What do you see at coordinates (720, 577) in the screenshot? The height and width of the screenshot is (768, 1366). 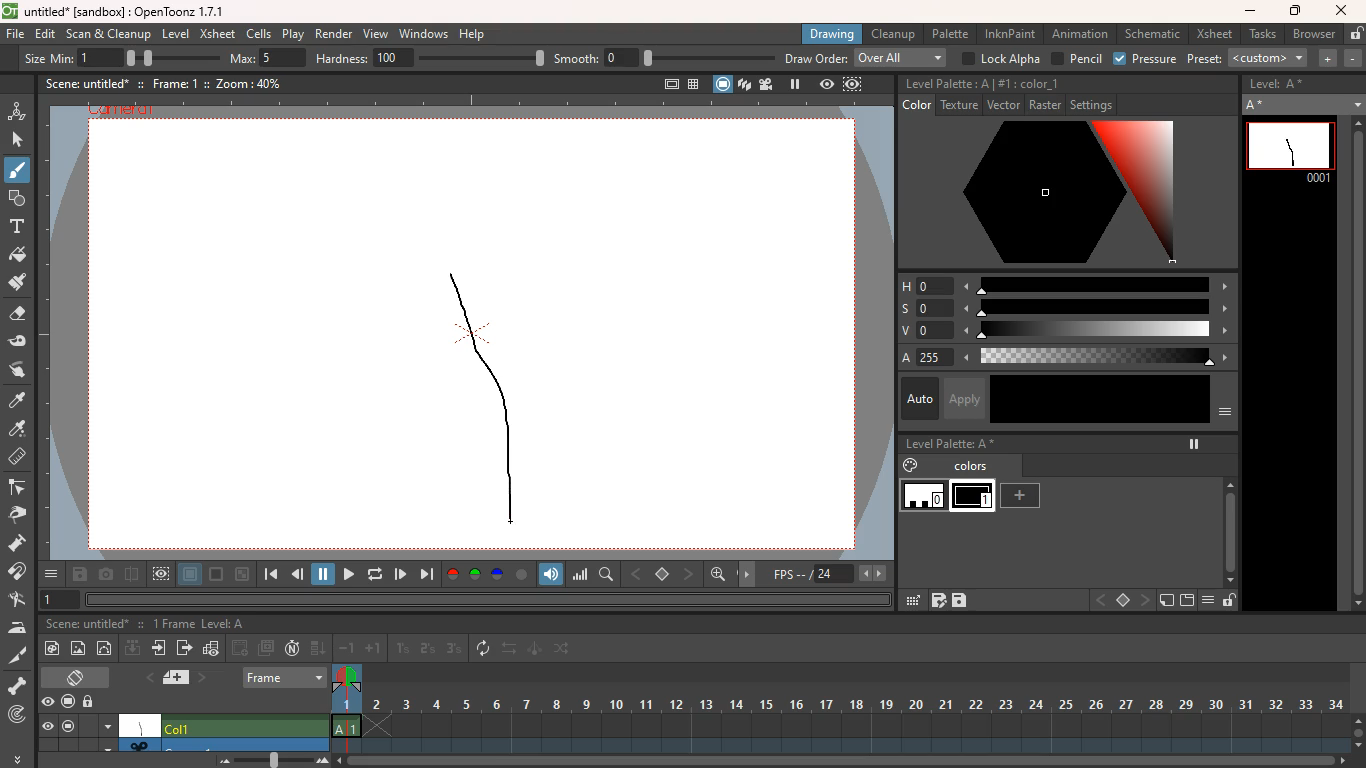 I see `find` at bounding box center [720, 577].